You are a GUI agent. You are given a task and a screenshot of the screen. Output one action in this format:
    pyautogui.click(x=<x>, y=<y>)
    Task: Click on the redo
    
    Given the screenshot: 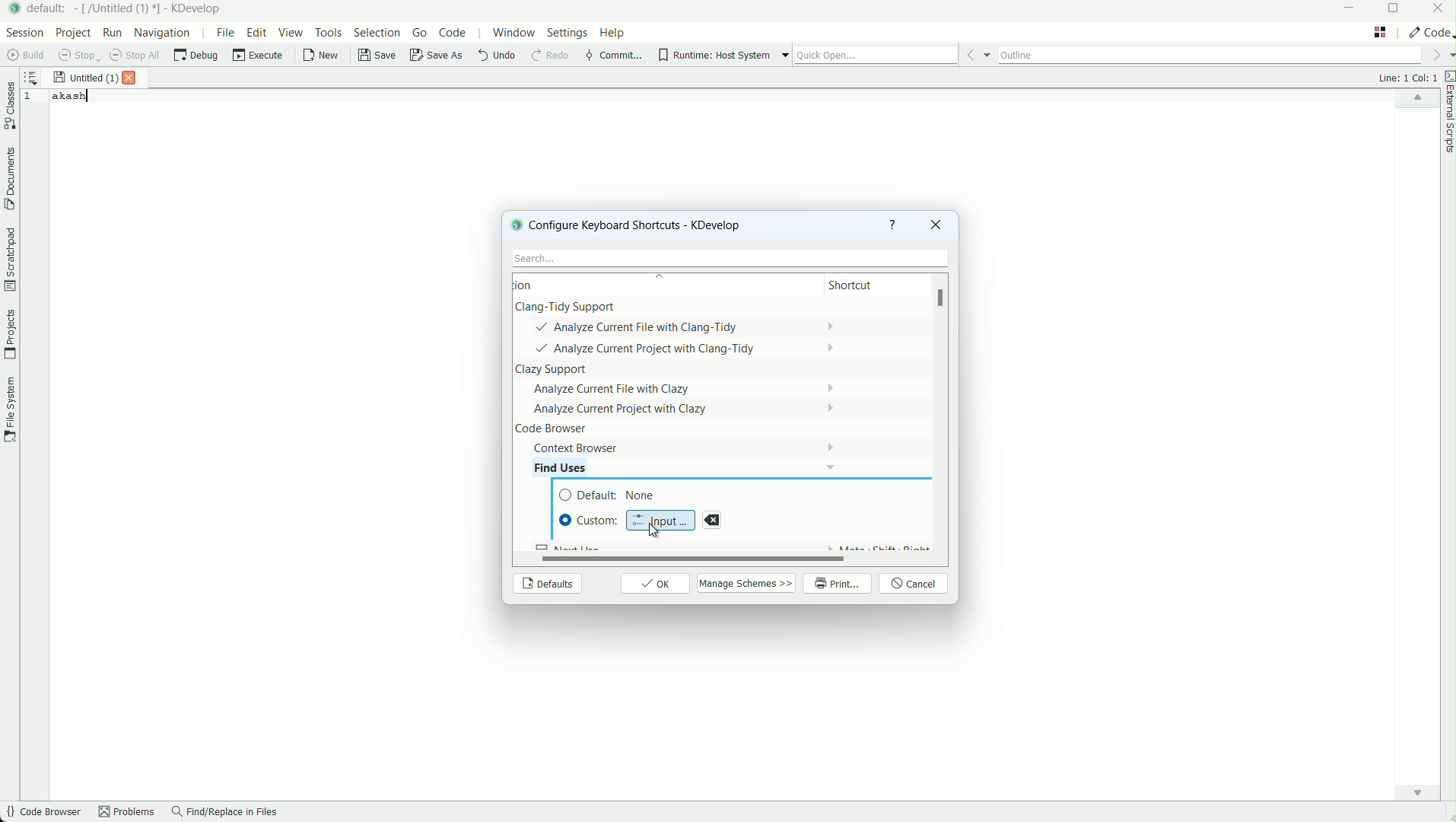 What is the action you would take?
    pyautogui.click(x=548, y=56)
    